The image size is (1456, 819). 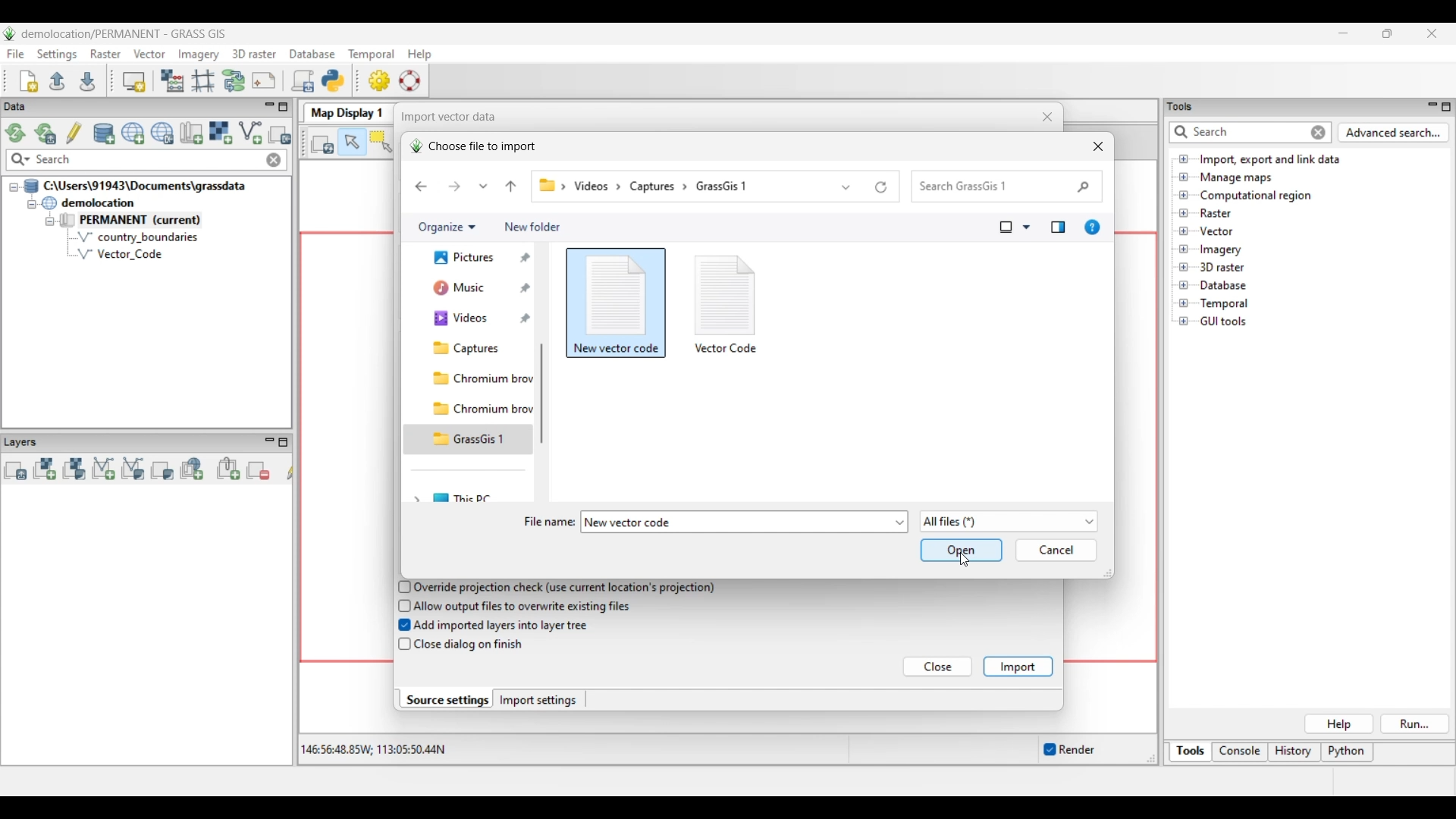 I want to click on Create new project (location) to current GRASS database, so click(x=133, y=133).